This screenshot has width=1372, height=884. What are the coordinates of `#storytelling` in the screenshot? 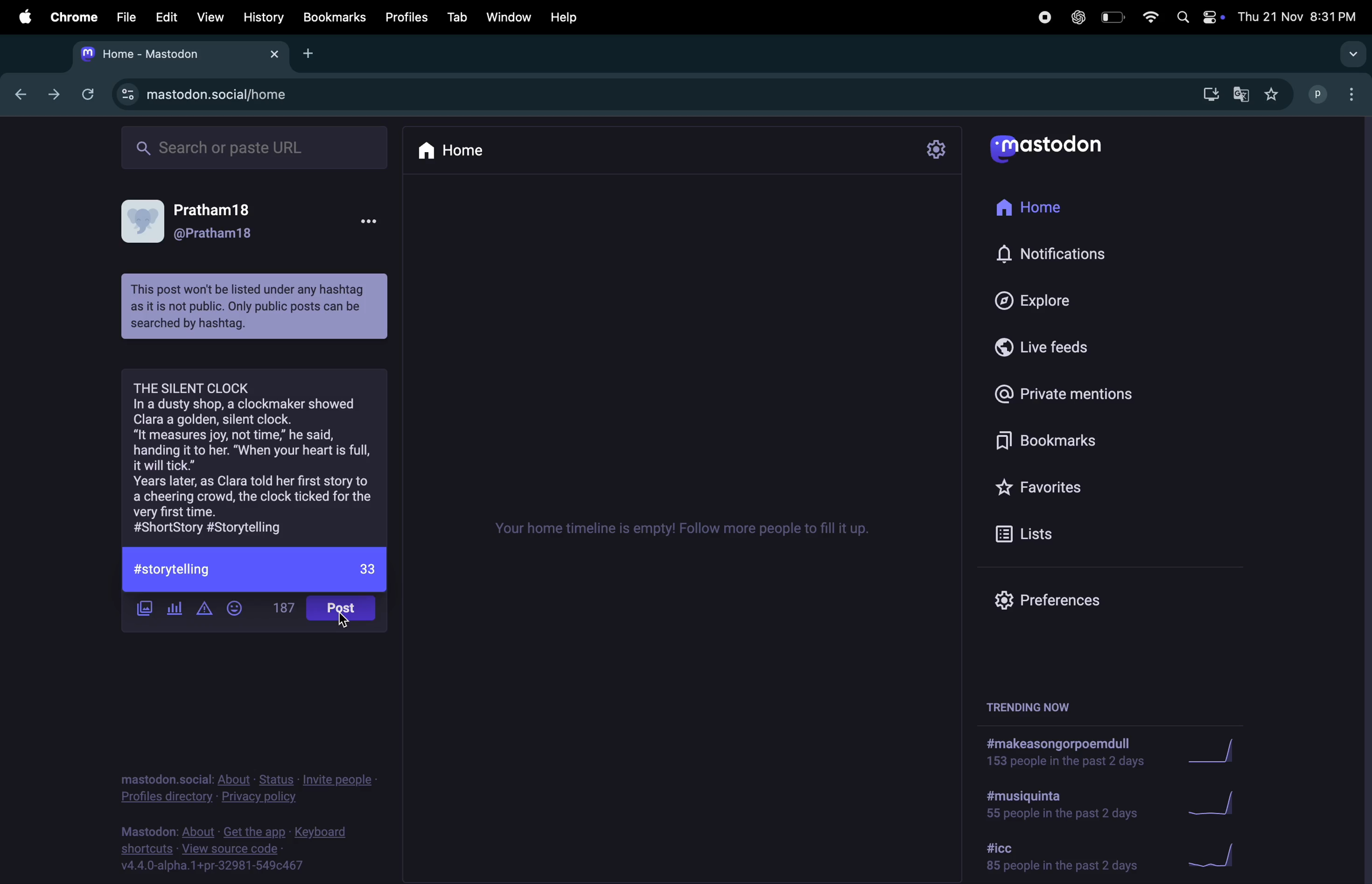 It's located at (256, 572).